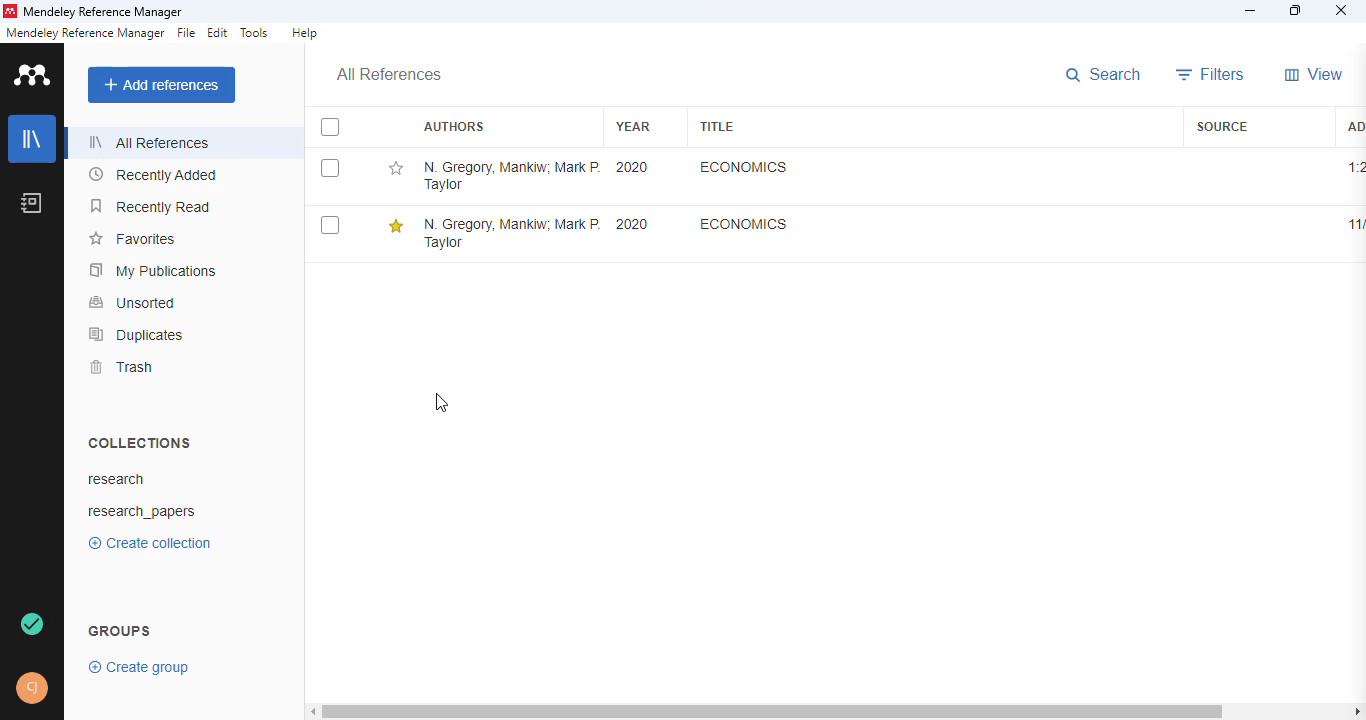 The width and height of the screenshot is (1366, 720). Describe the element at coordinates (1212, 74) in the screenshot. I see `filters` at that location.